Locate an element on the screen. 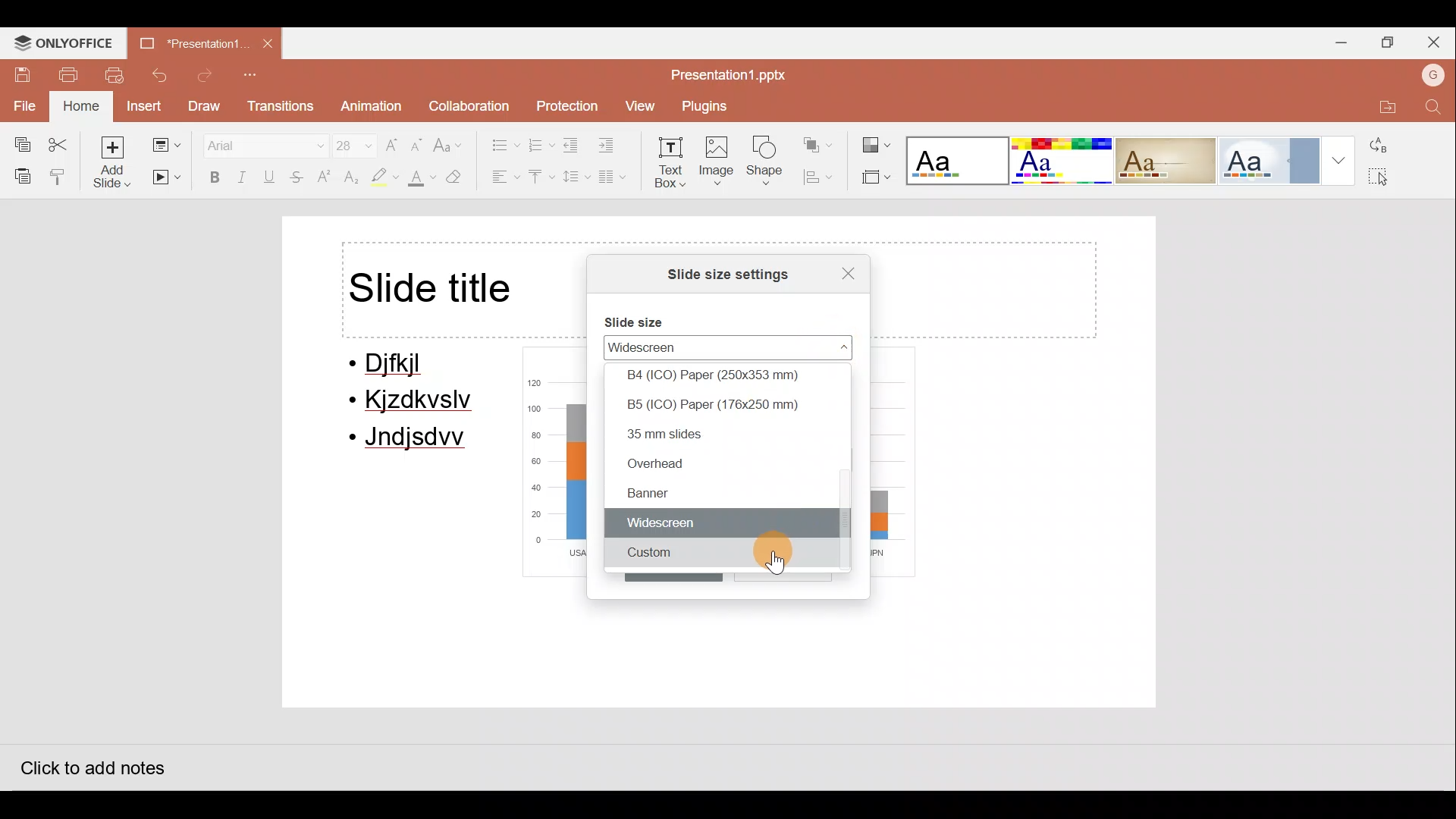  Insert is located at coordinates (143, 105).